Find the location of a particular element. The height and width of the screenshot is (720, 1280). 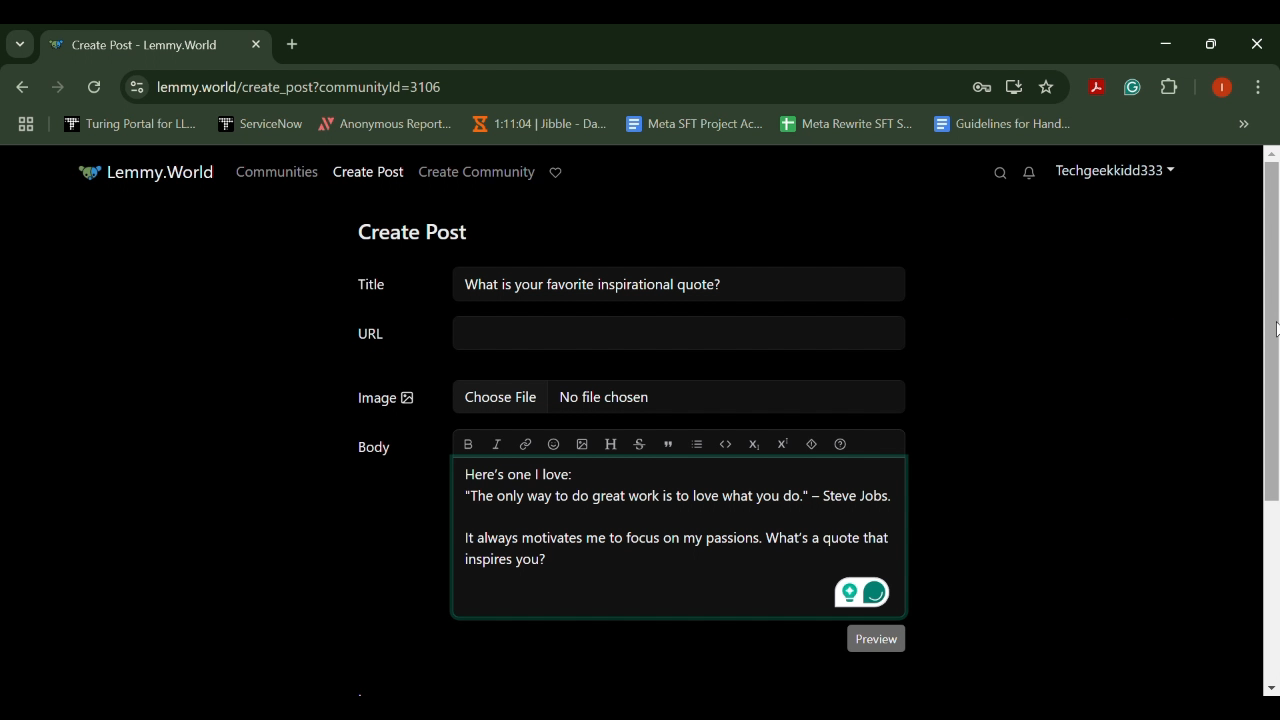

Donate to Lemmy is located at coordinates (556, 173).